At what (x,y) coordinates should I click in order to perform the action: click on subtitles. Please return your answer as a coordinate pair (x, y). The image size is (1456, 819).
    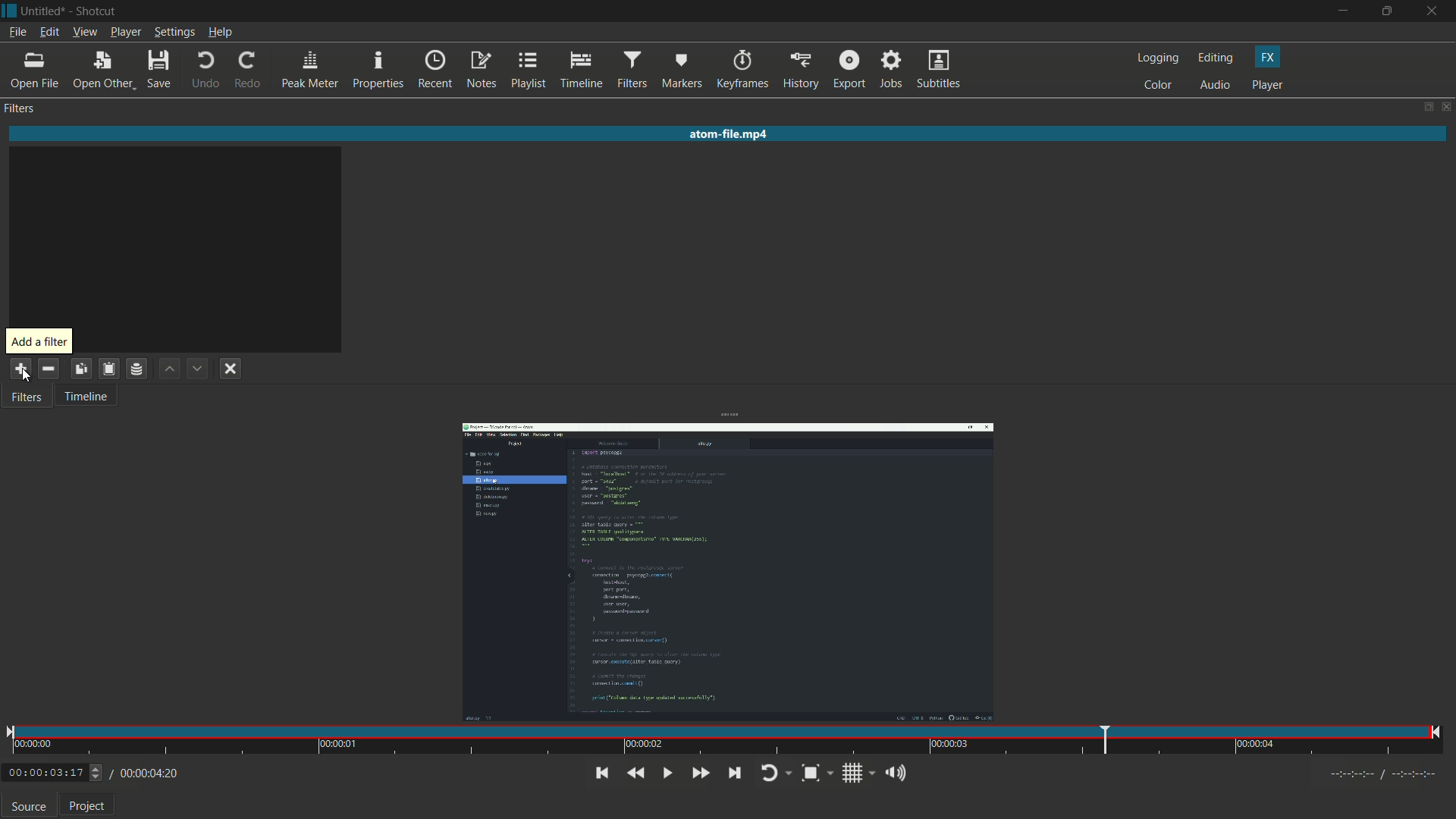
    Looking at the image, I should click on (939, 68).